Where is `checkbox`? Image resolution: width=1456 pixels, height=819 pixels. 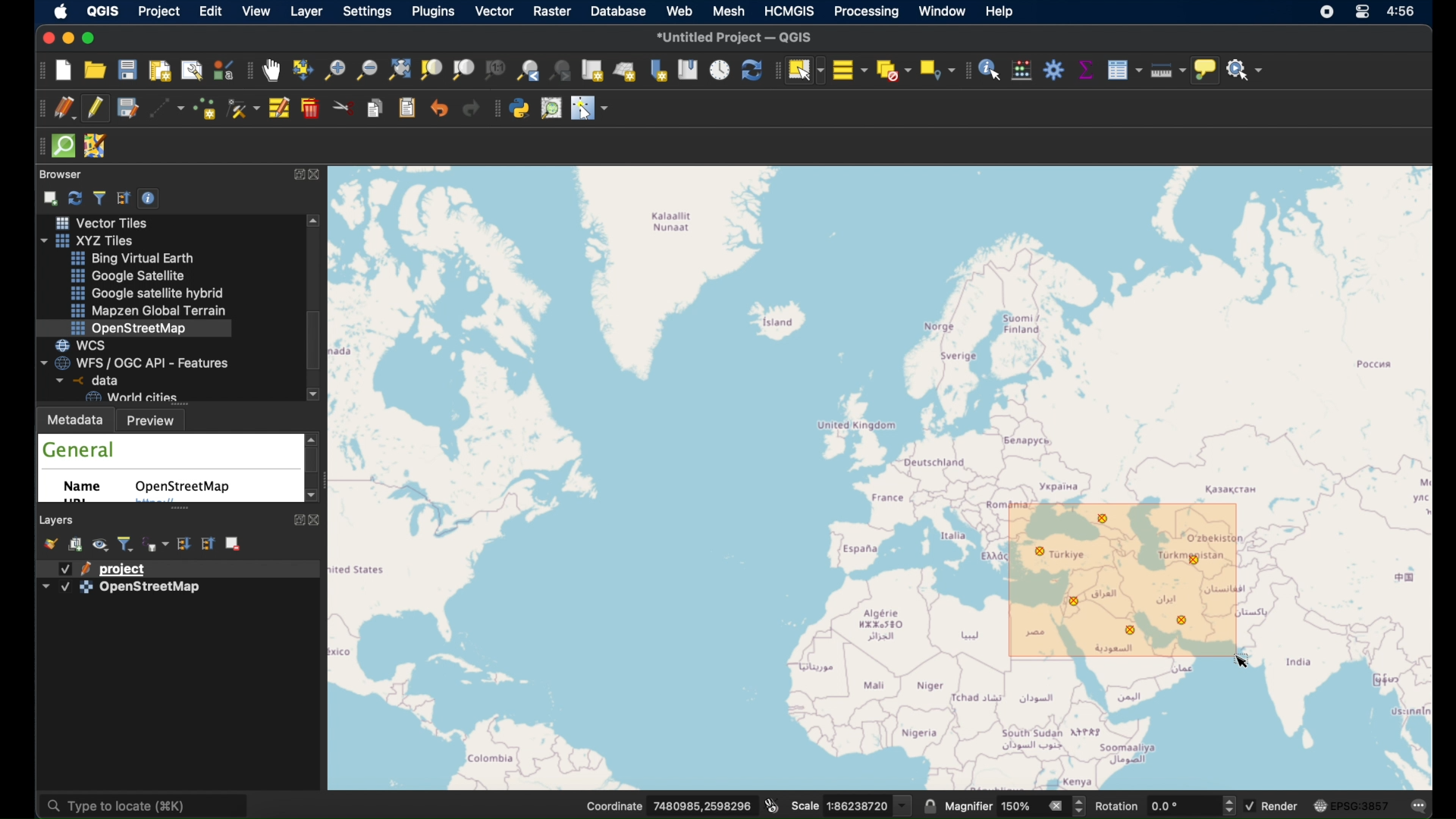 checkbox is located at coordinates (65, 569).